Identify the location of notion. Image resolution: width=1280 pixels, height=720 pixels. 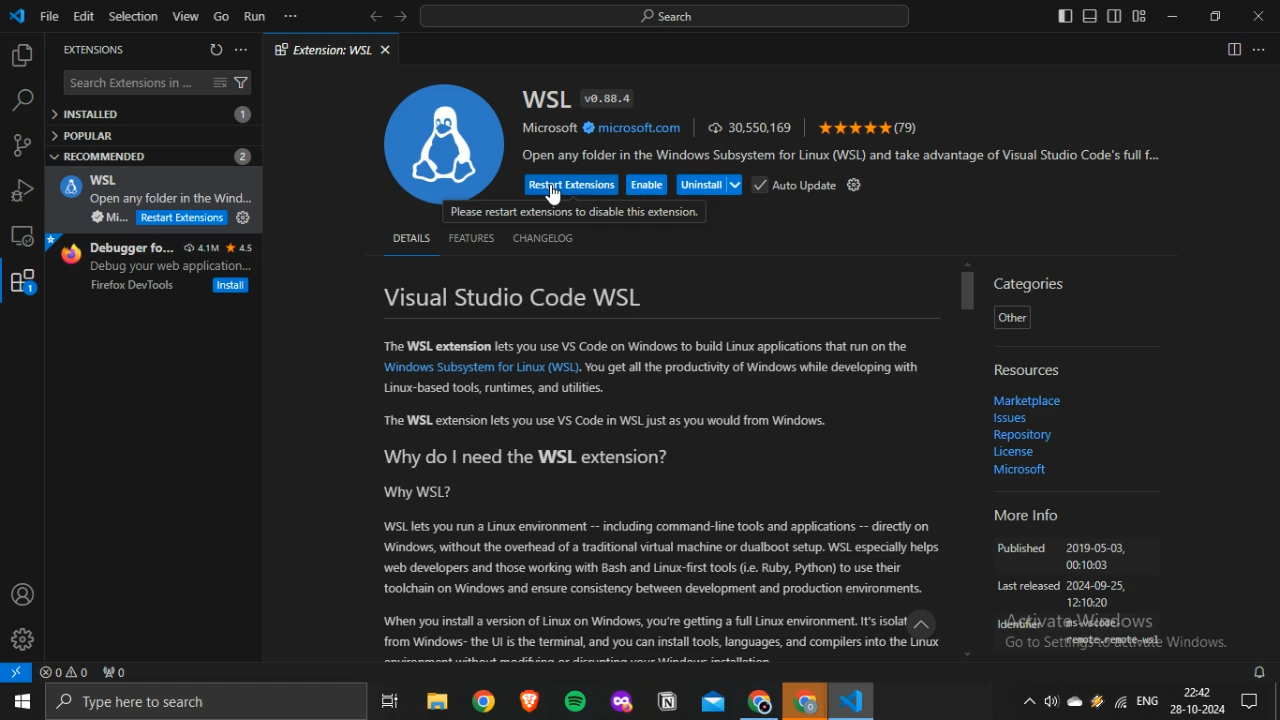
(668, 700).